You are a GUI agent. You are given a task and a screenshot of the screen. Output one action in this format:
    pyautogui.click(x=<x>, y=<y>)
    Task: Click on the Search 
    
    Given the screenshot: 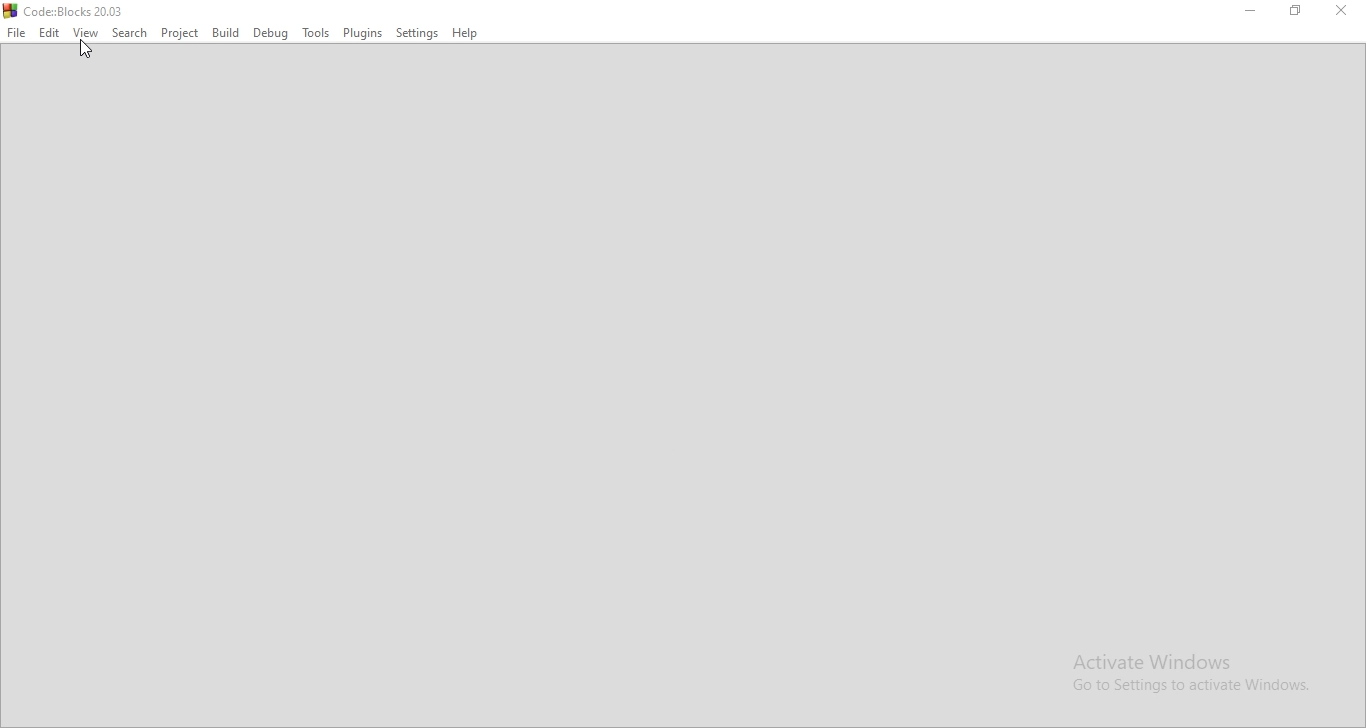 What is the action you would take?
    pyautogui.click(x=131, y=31)
    